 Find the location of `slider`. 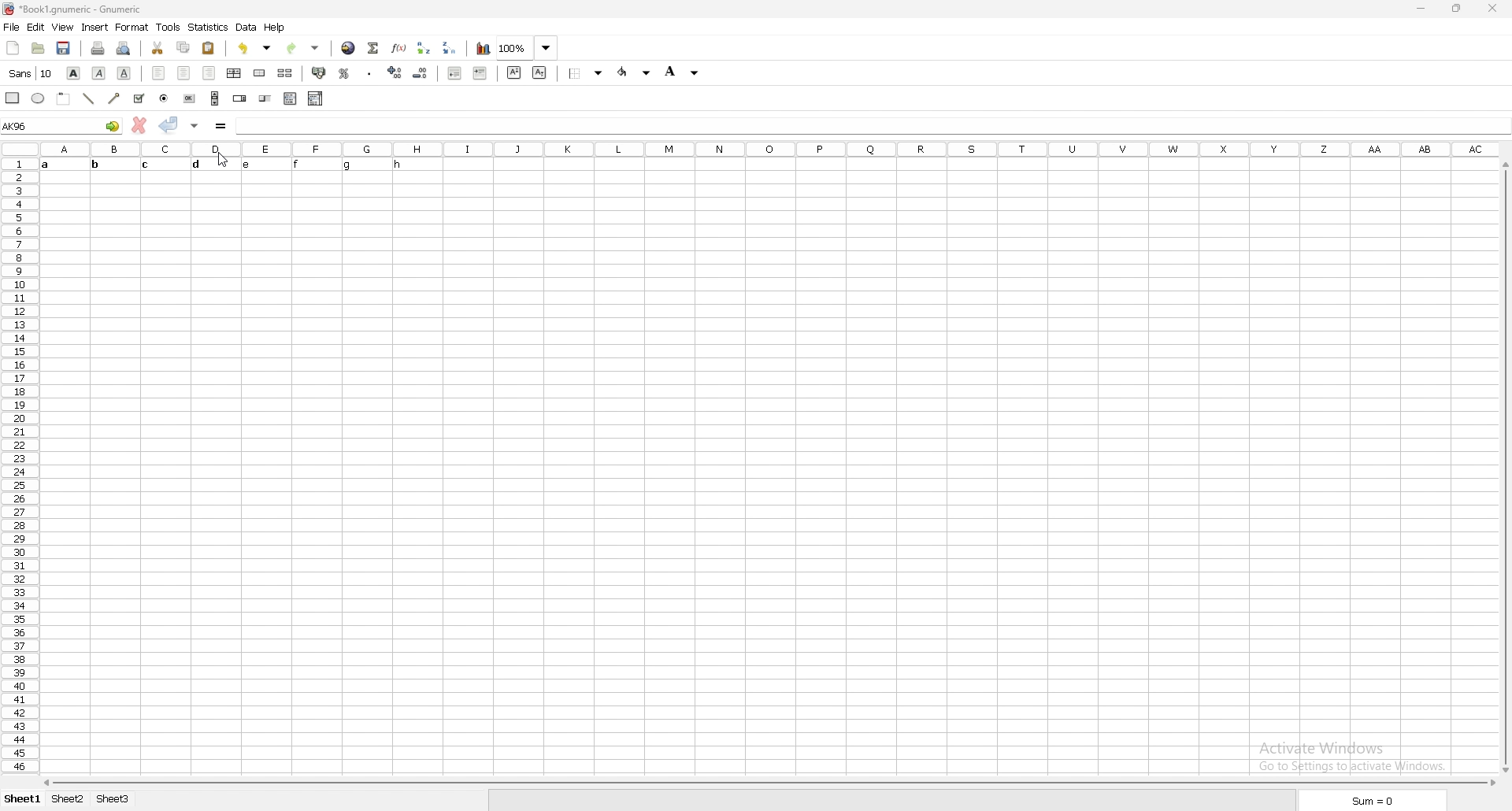

slider is located at coordinates (266, 99).